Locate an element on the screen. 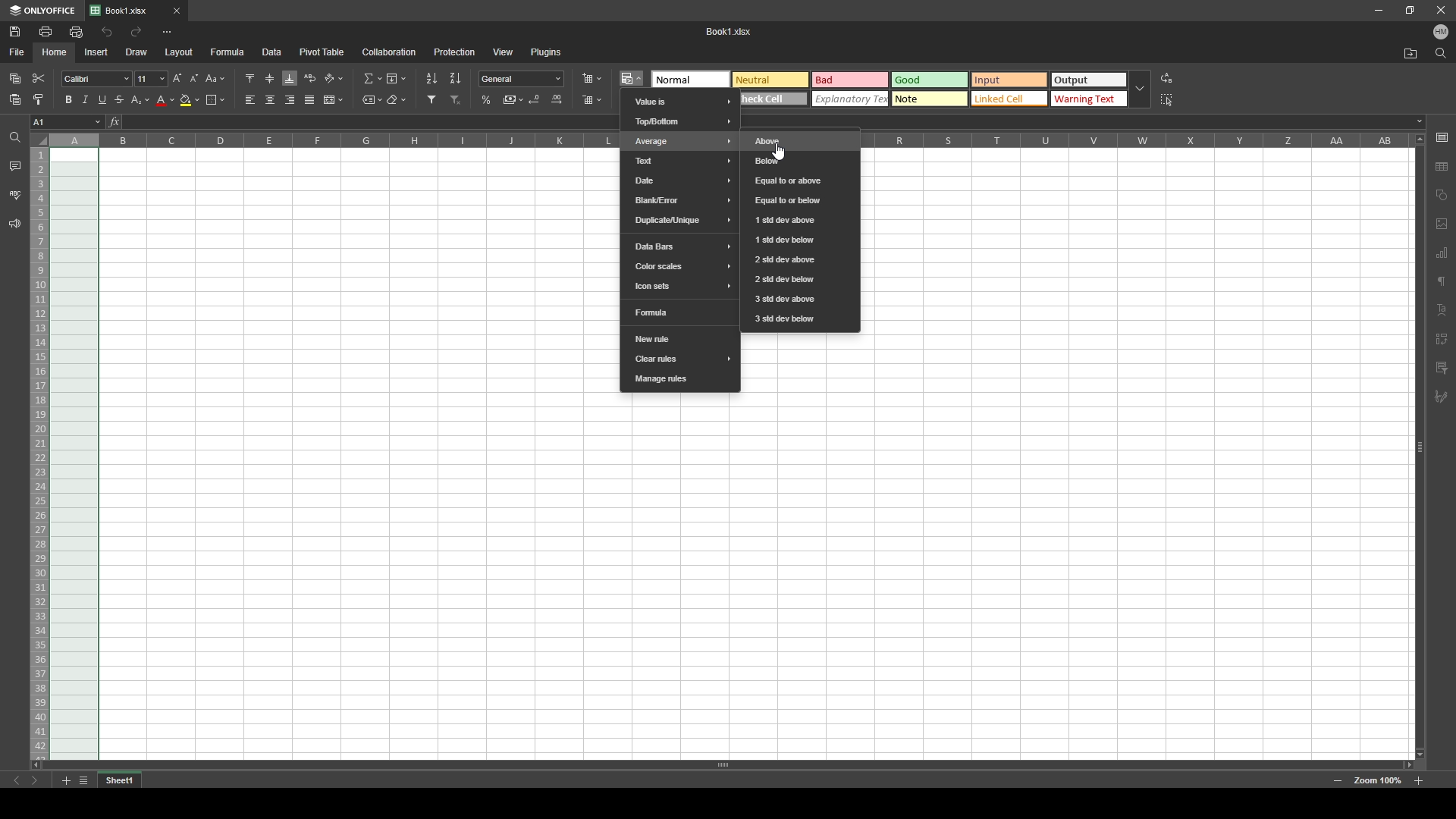 The height and width of the screenshot is (819, 1456). more options is located at coordinates (167, 32).